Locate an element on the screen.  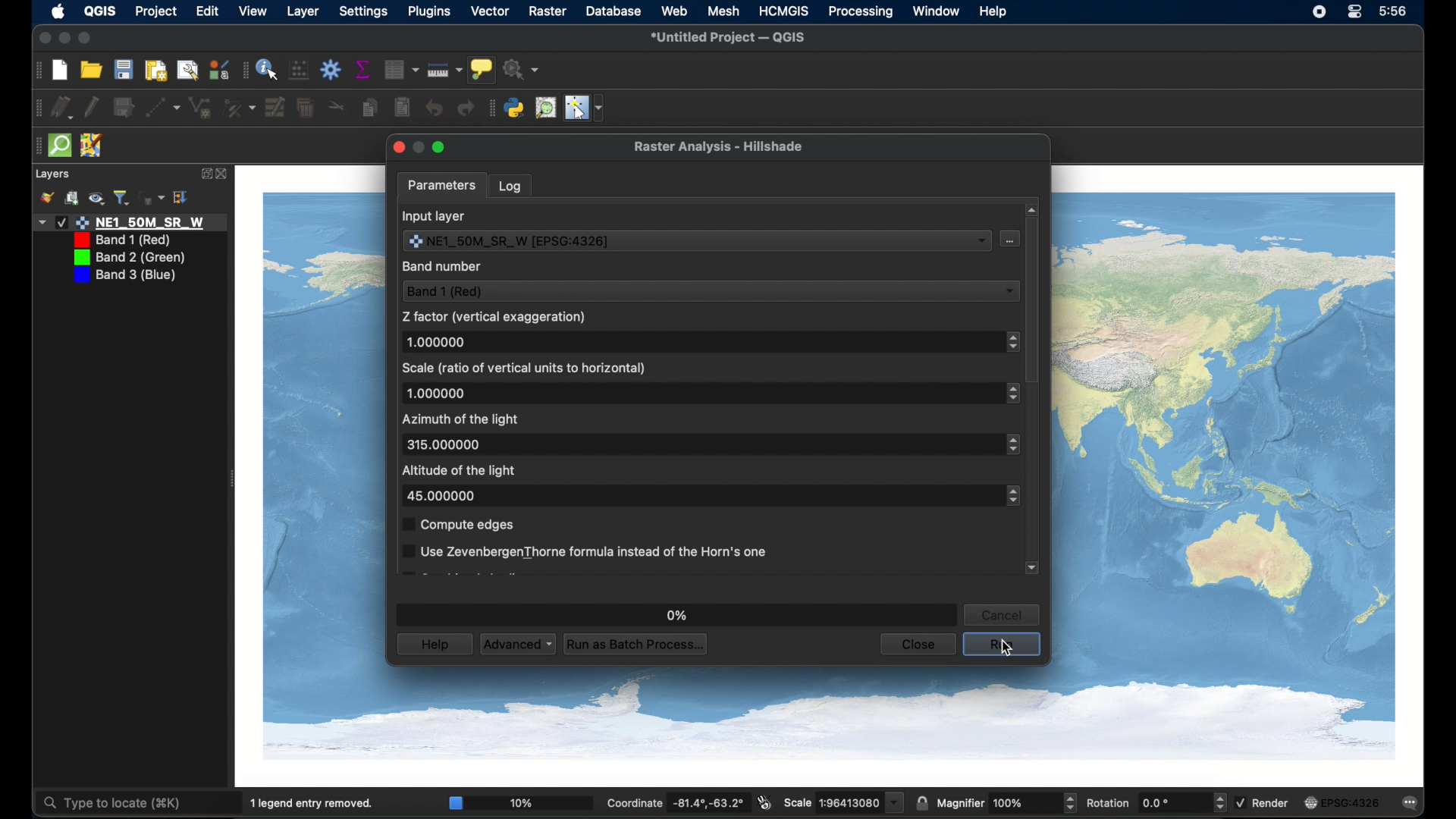
open layout manager is located at coordinates (188, 69).